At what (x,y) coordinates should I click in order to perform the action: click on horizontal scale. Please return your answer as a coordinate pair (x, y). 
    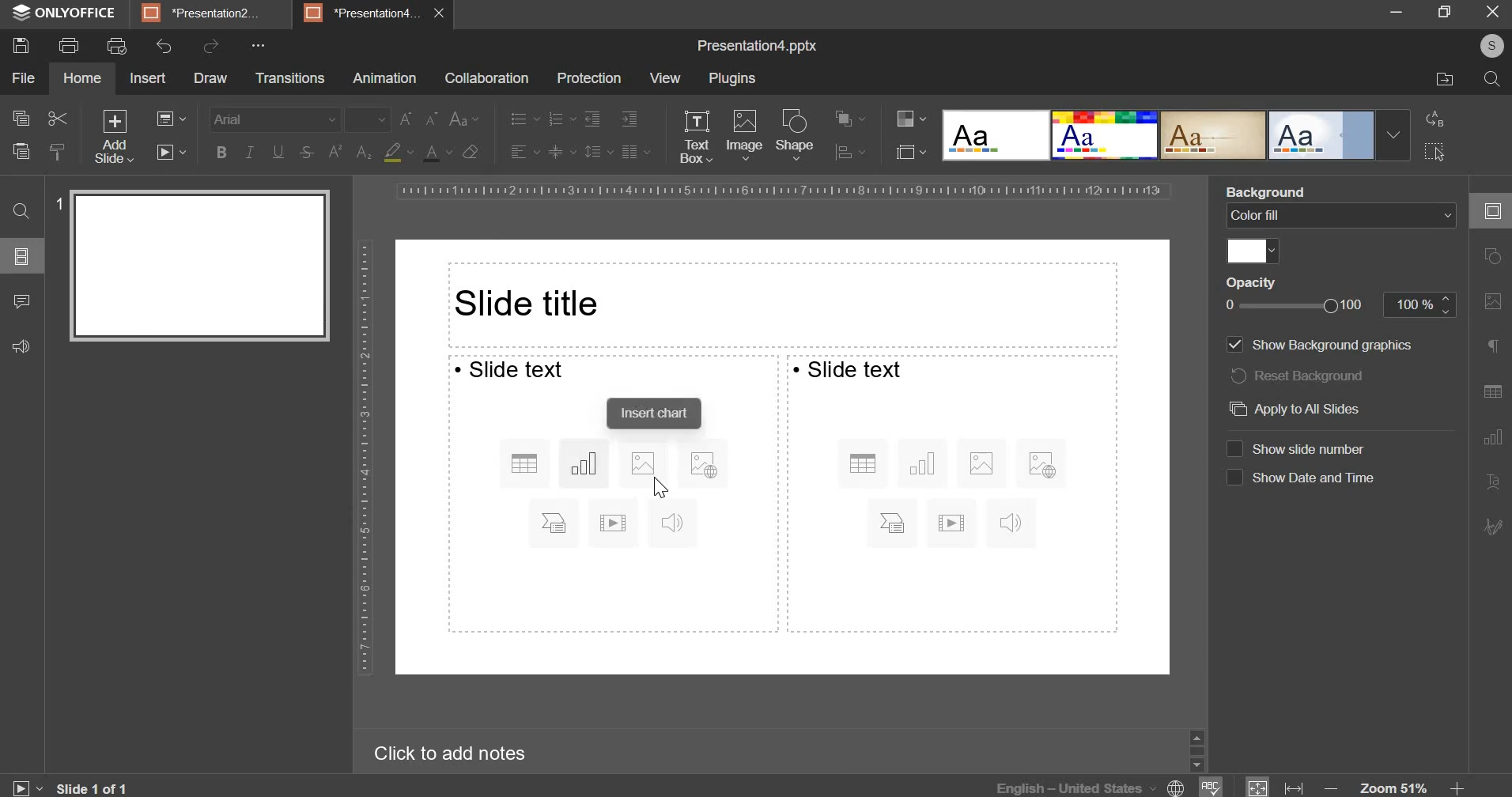
    Looking at the image, I should click on (784, 190).